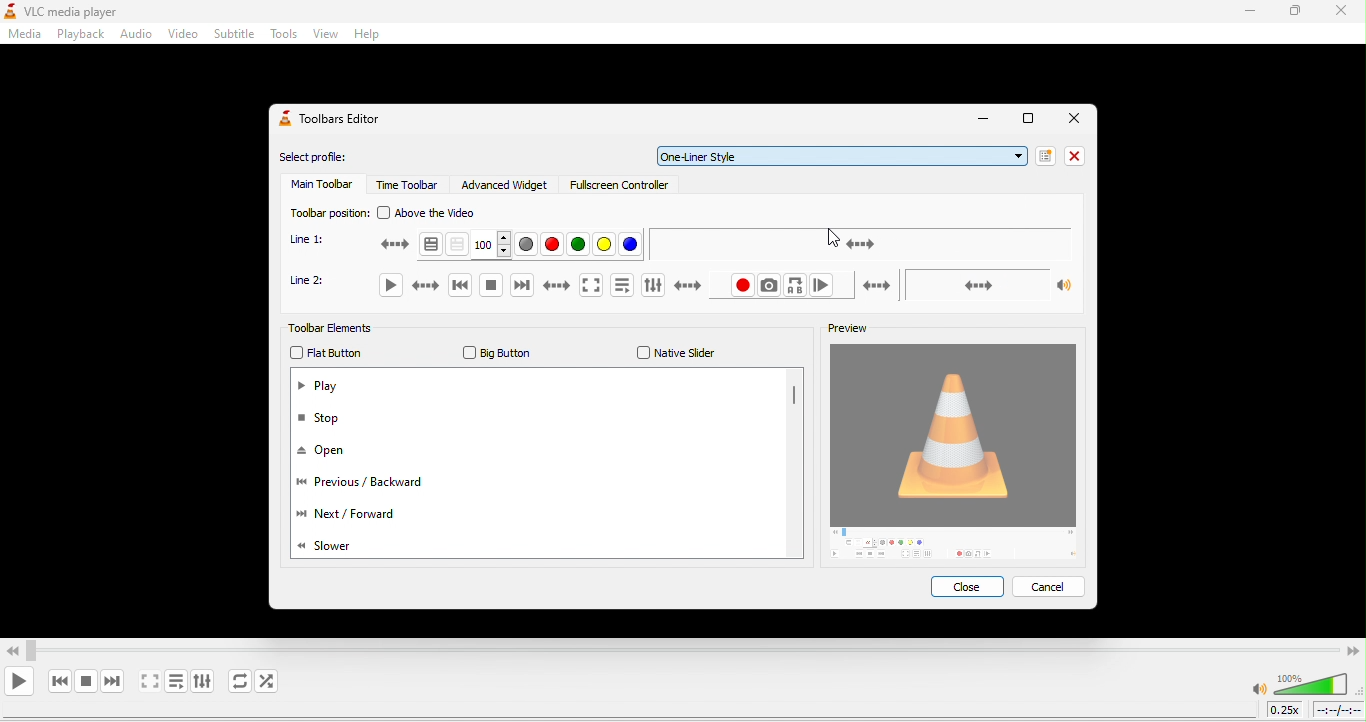  Describe the element at coordinates (847, 155) in the screenshot. I see `cre-liner style` at that location.